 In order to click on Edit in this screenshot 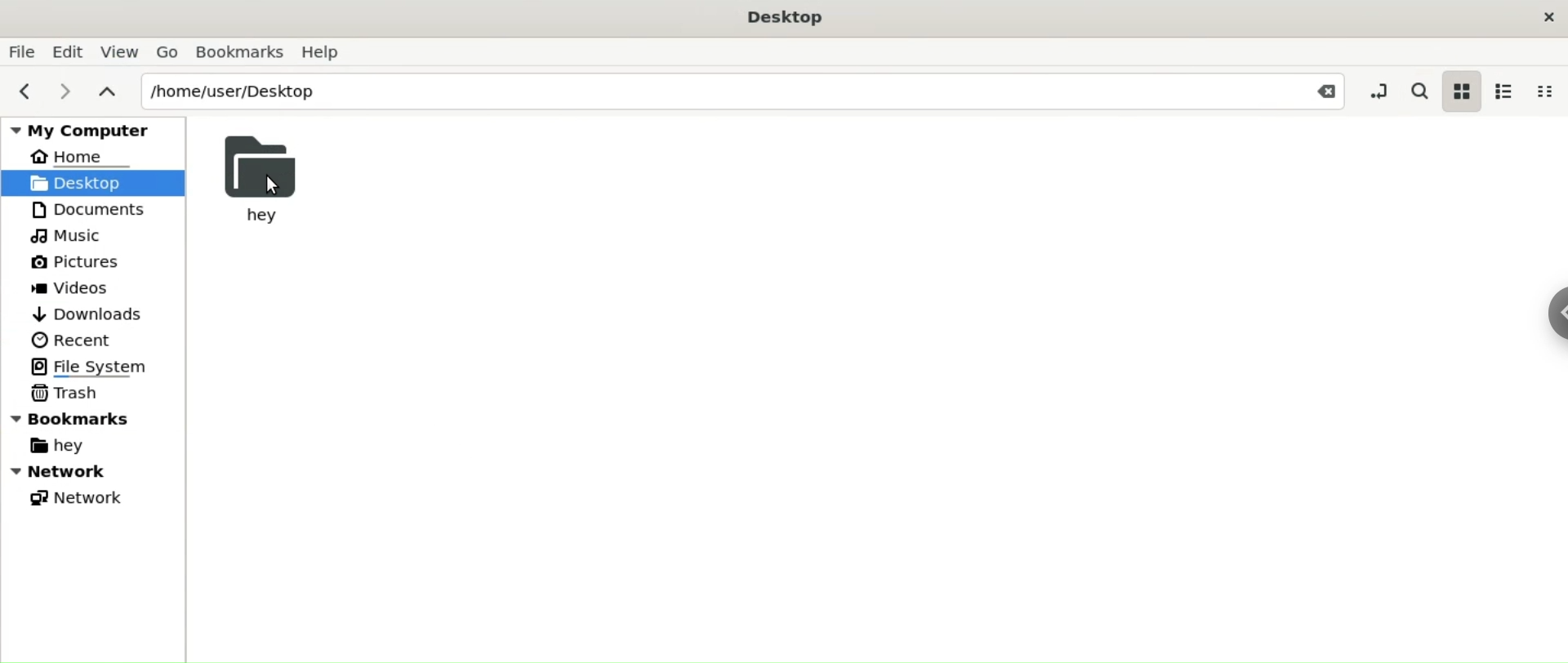, I will do `click(69, 51)`.